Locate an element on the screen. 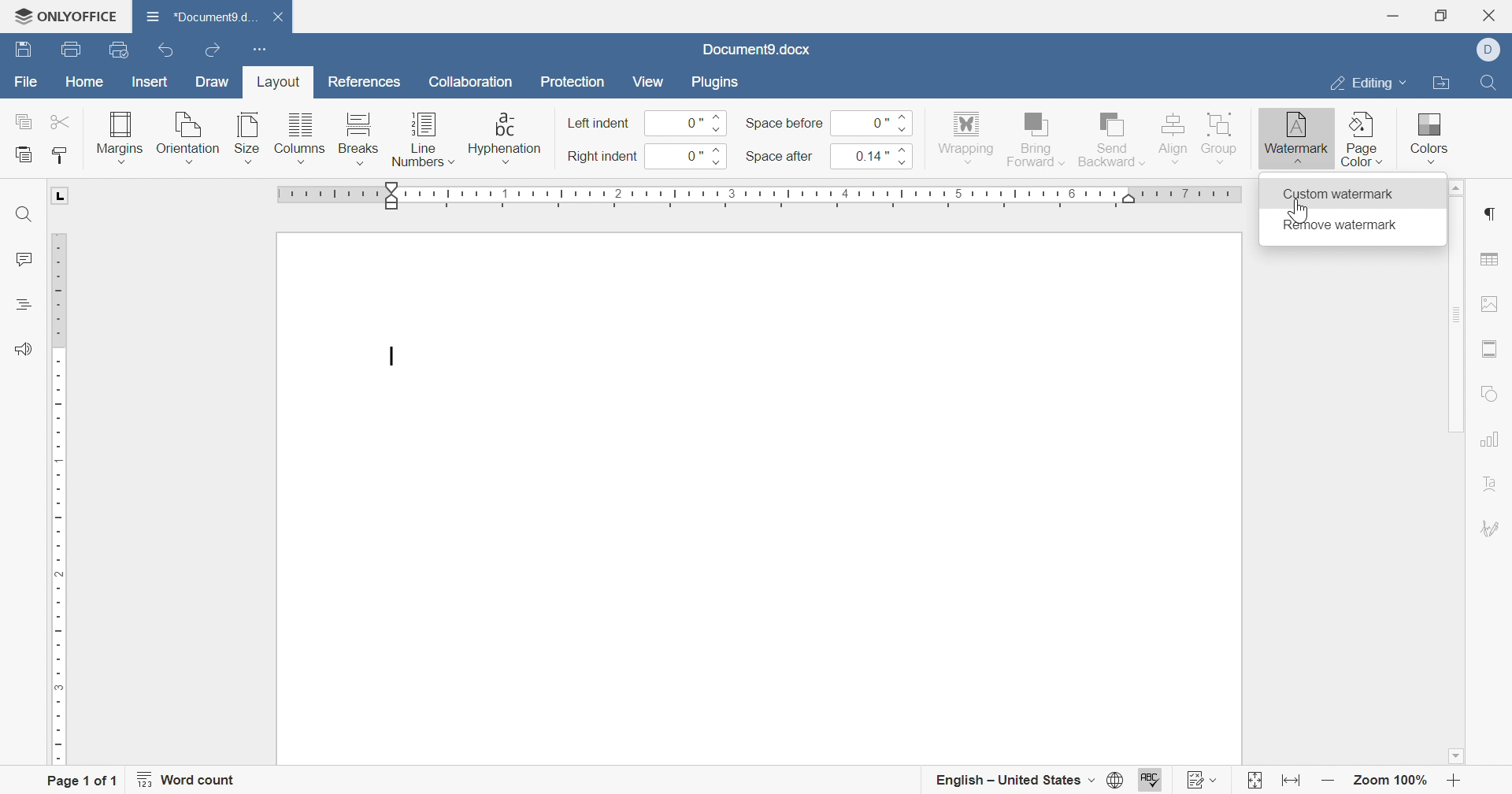 The height and width of the screenshot is (794, 1512). breaks is located at coordinates (355, 139).